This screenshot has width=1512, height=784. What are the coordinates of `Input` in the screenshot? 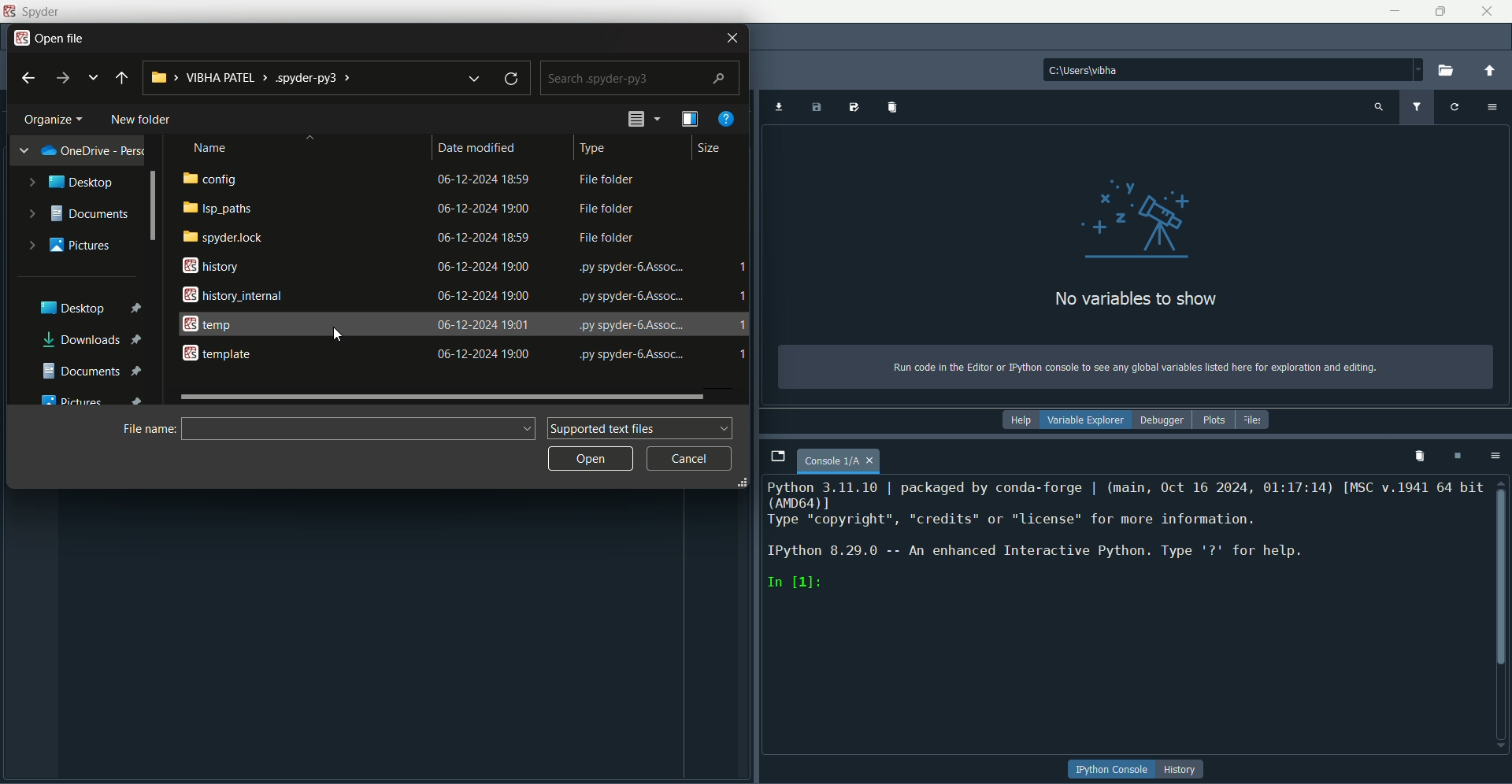 It's located at (363, 428).